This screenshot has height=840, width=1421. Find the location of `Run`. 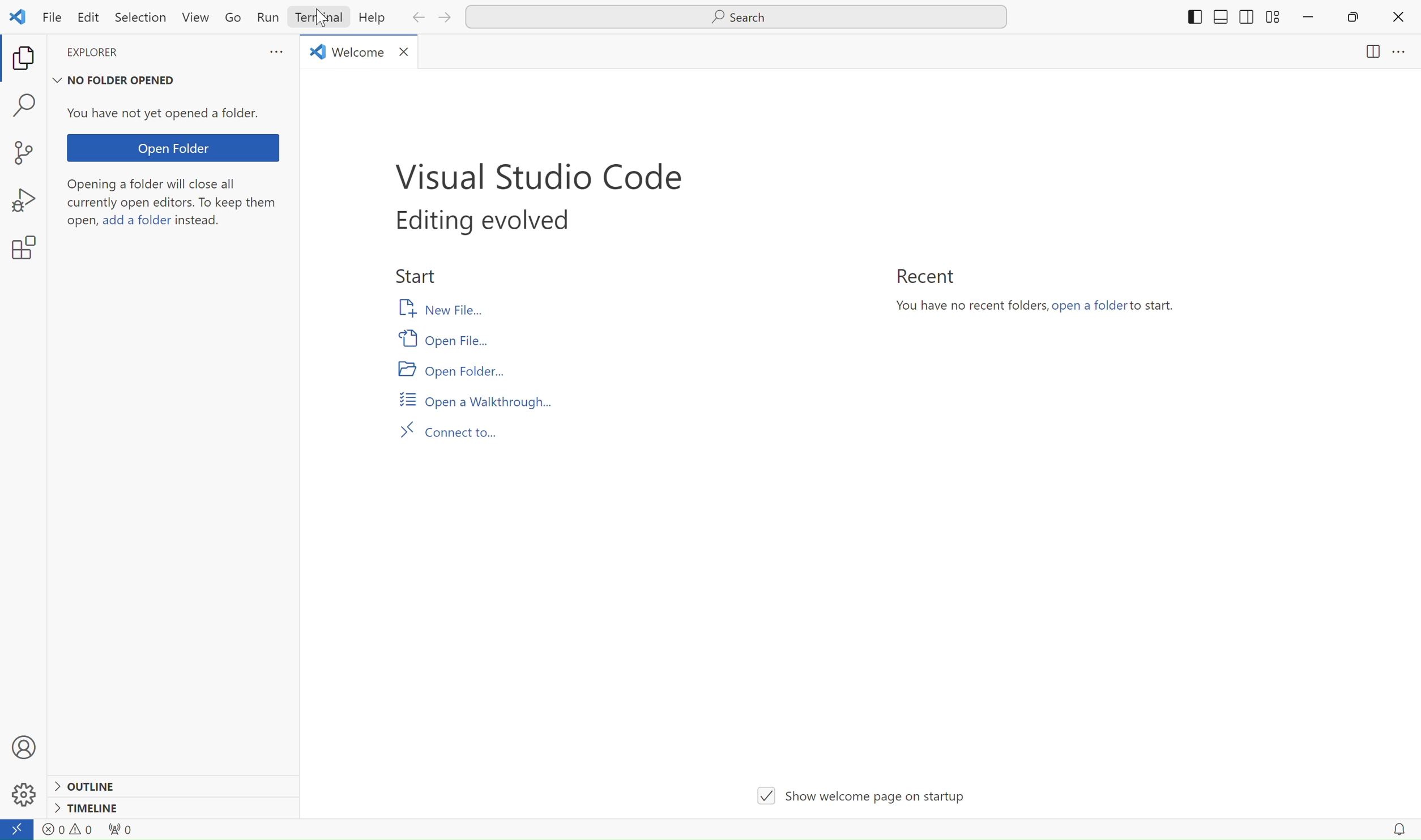

Run is located at coordinates (266, 18).